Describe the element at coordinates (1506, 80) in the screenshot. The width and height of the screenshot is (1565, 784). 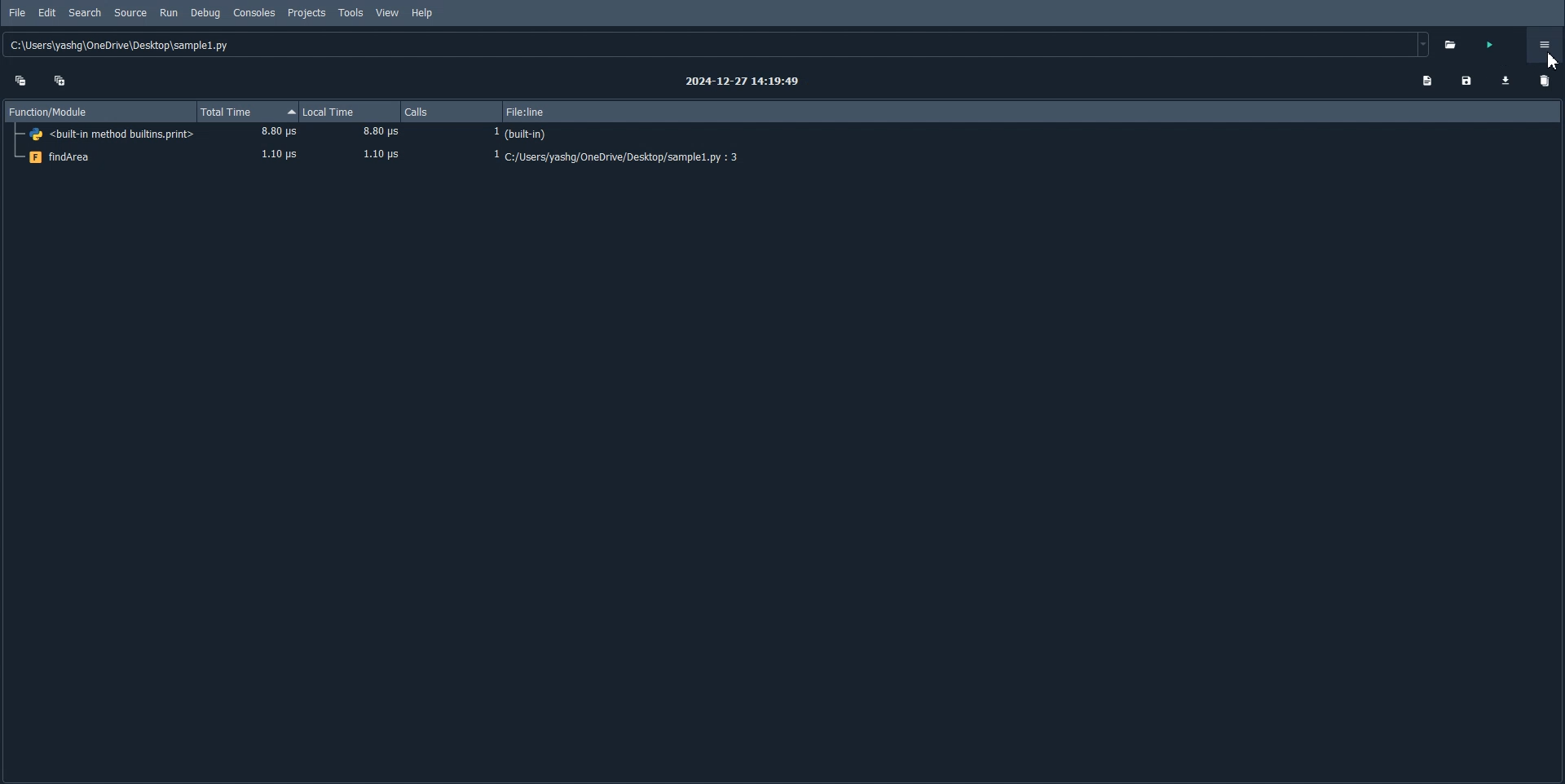
I see `Load profiling data for comparison` at that location.